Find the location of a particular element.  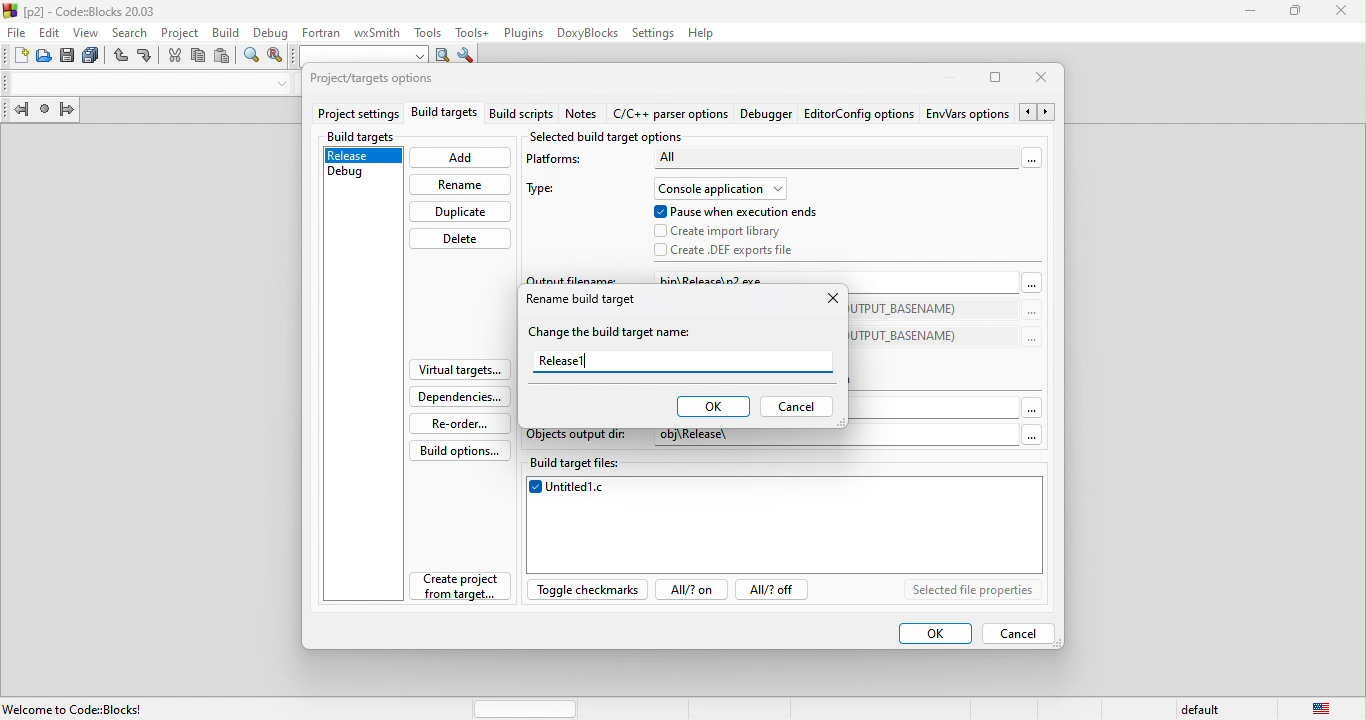

virtual targets is located at coordinates (458, 370).